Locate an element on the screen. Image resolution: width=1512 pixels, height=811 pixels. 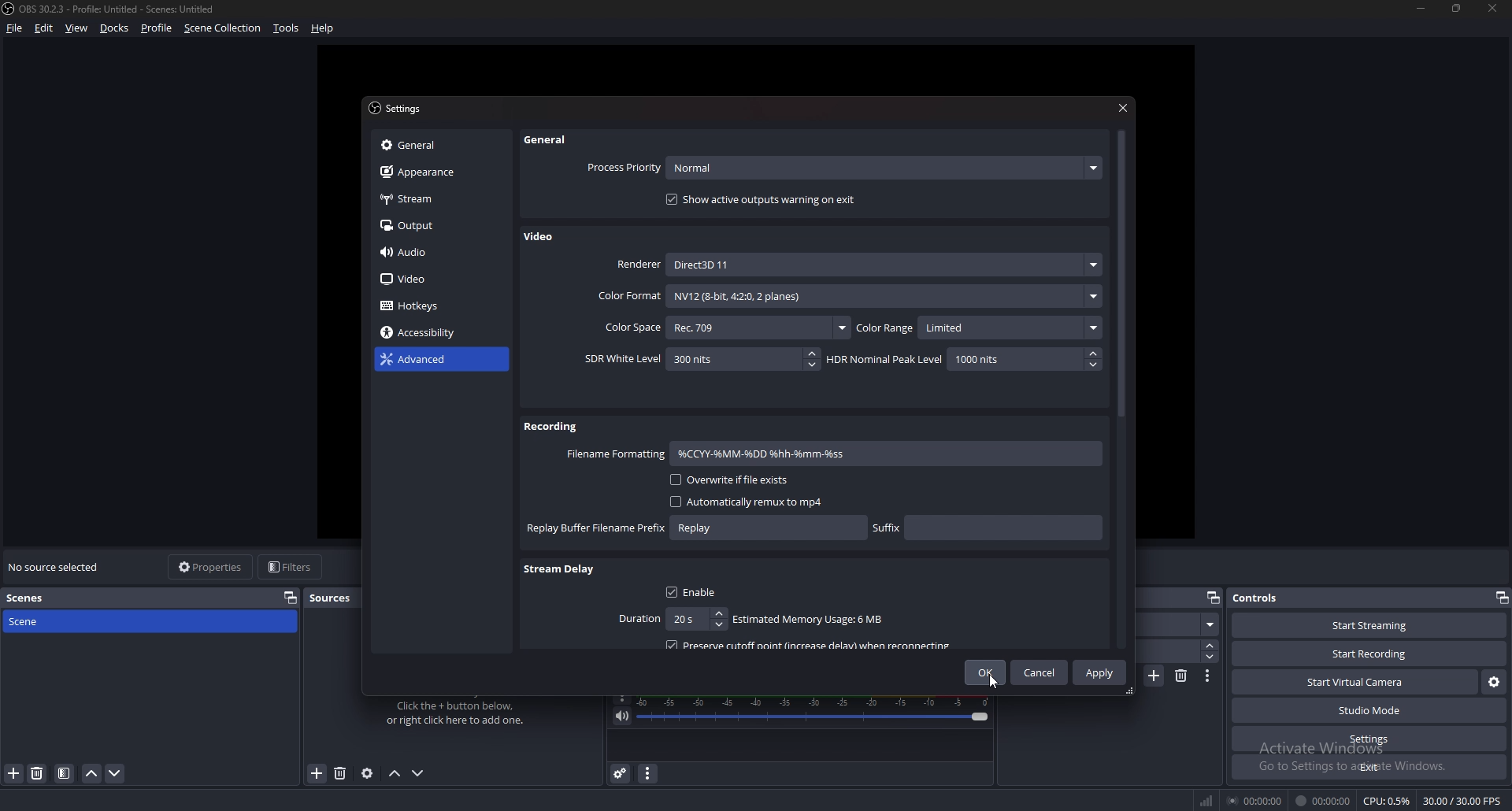
cancel is located at coordinates (1040, 674).